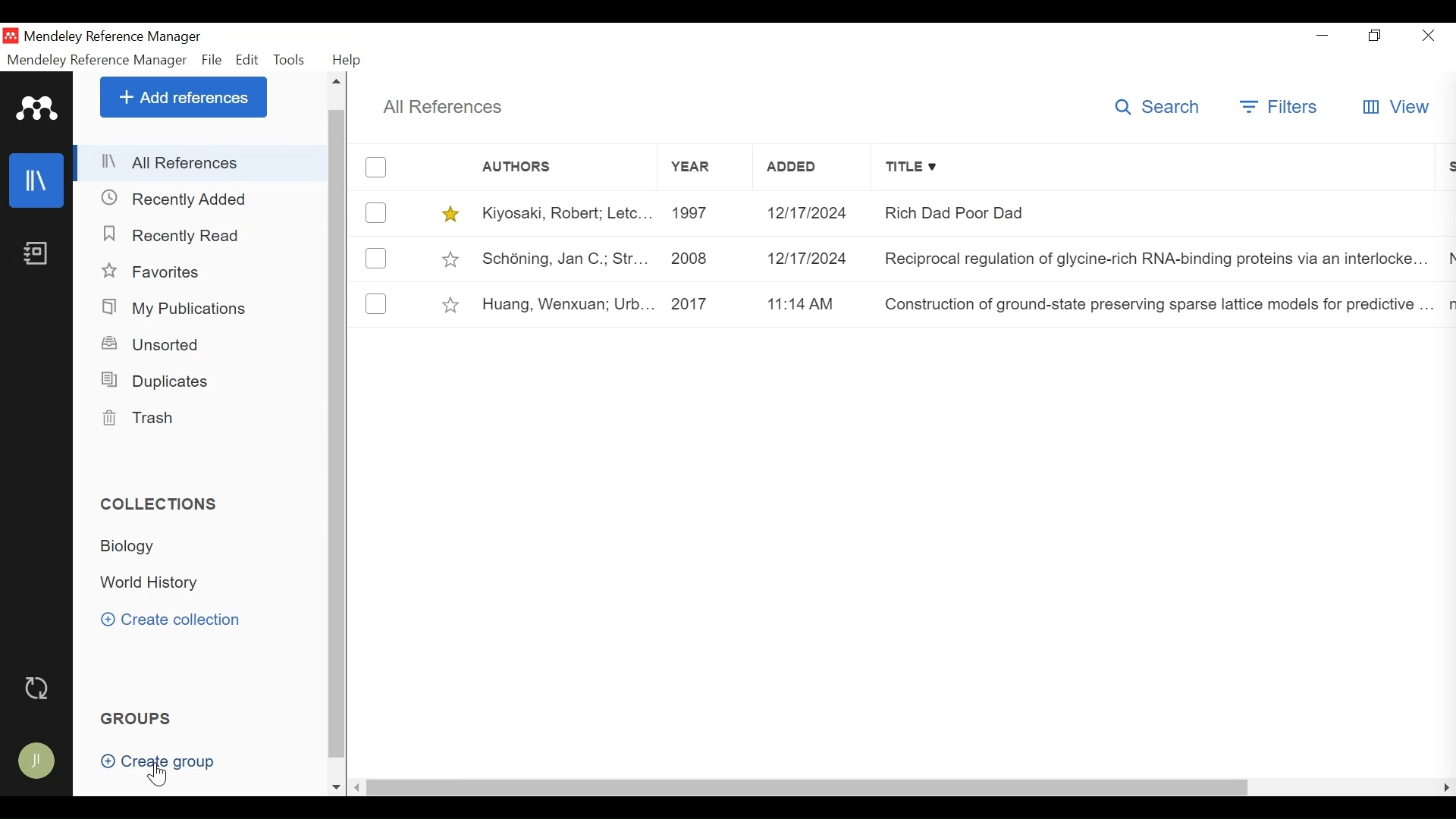  What do you see at coordinates (451, 215) in the screenshot?
I see `toggle Favorites` at bounding box center [451, 215].